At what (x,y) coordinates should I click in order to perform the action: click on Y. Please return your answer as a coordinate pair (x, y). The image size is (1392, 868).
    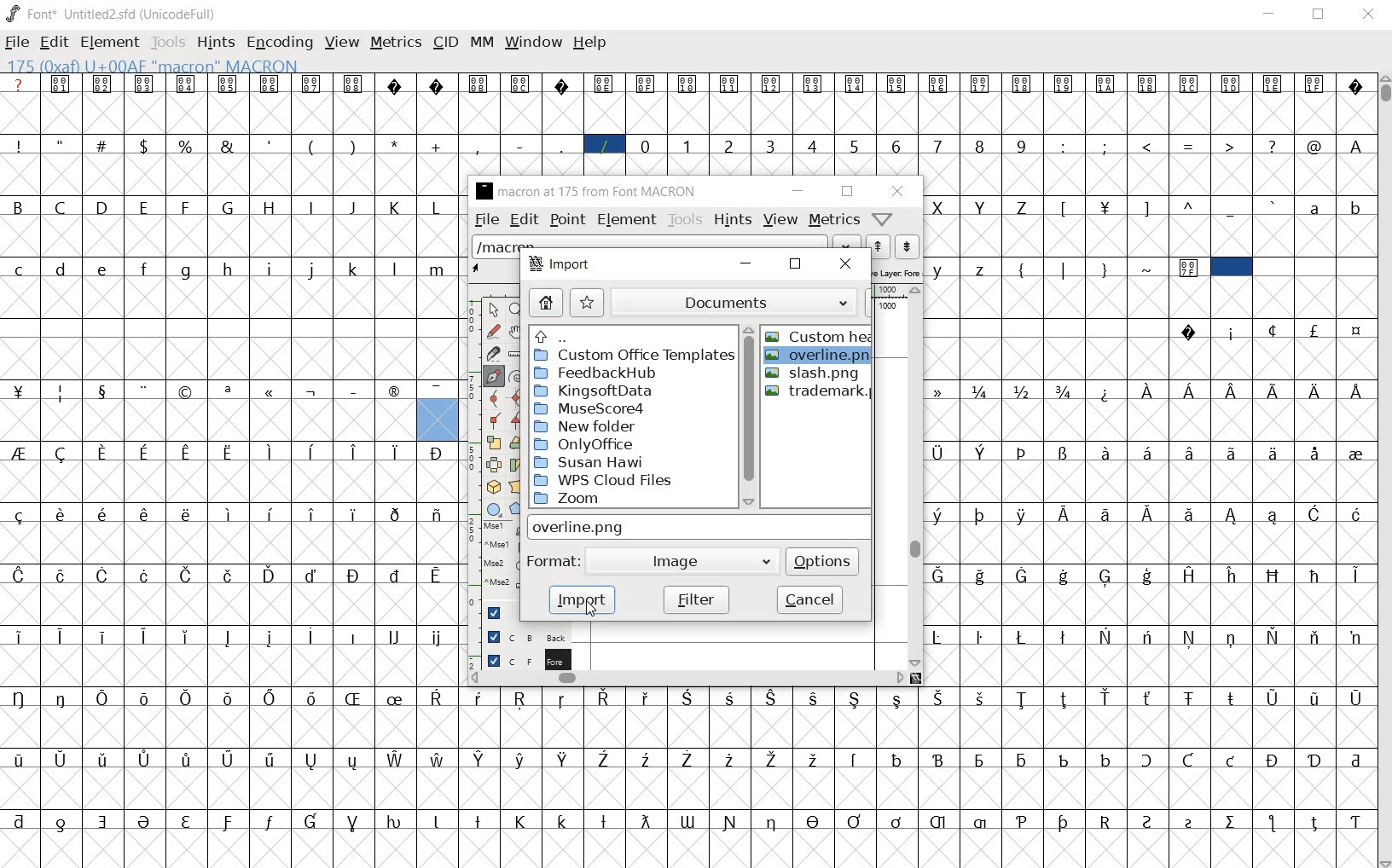
    Looking at the image, I should click on (981, 205).